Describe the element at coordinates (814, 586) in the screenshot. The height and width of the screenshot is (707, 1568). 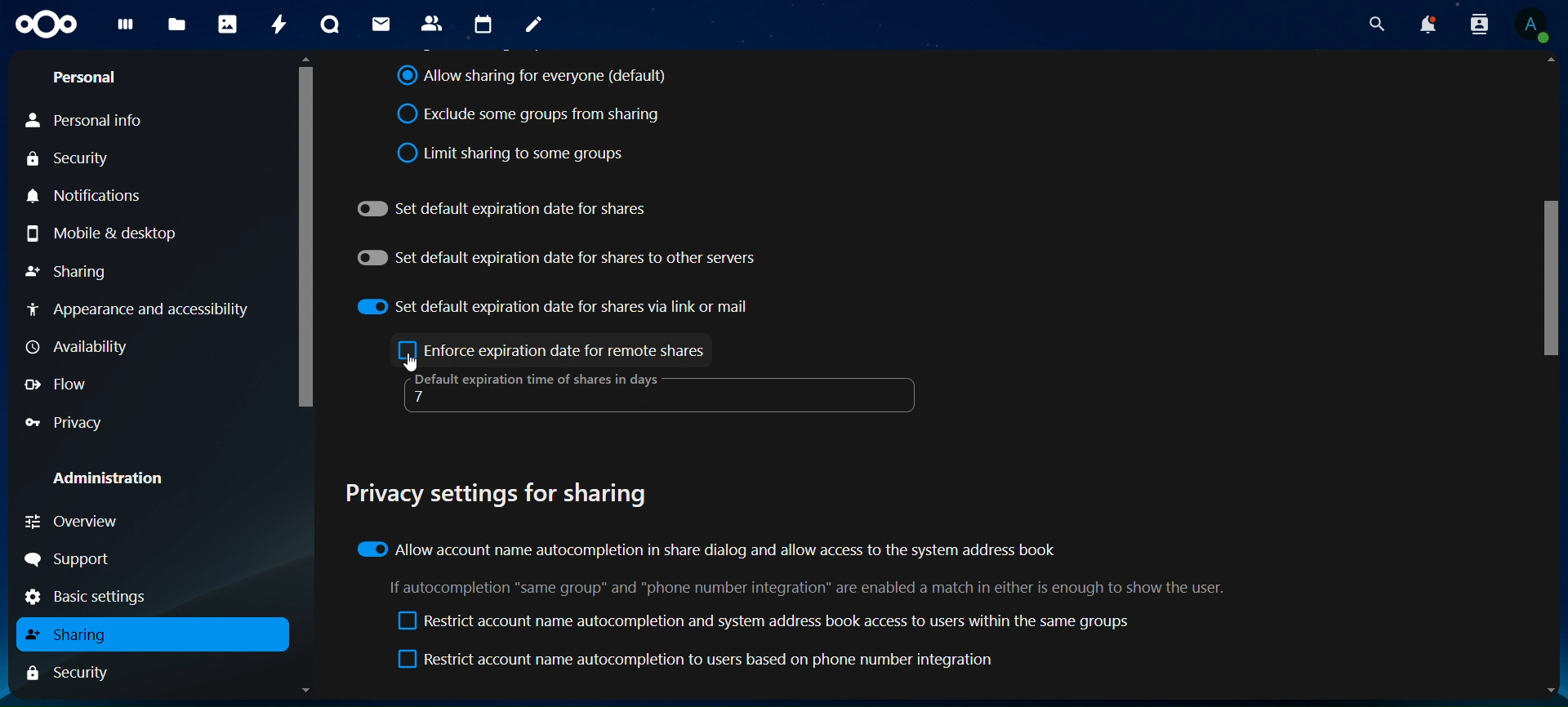
I see `text` at that location.